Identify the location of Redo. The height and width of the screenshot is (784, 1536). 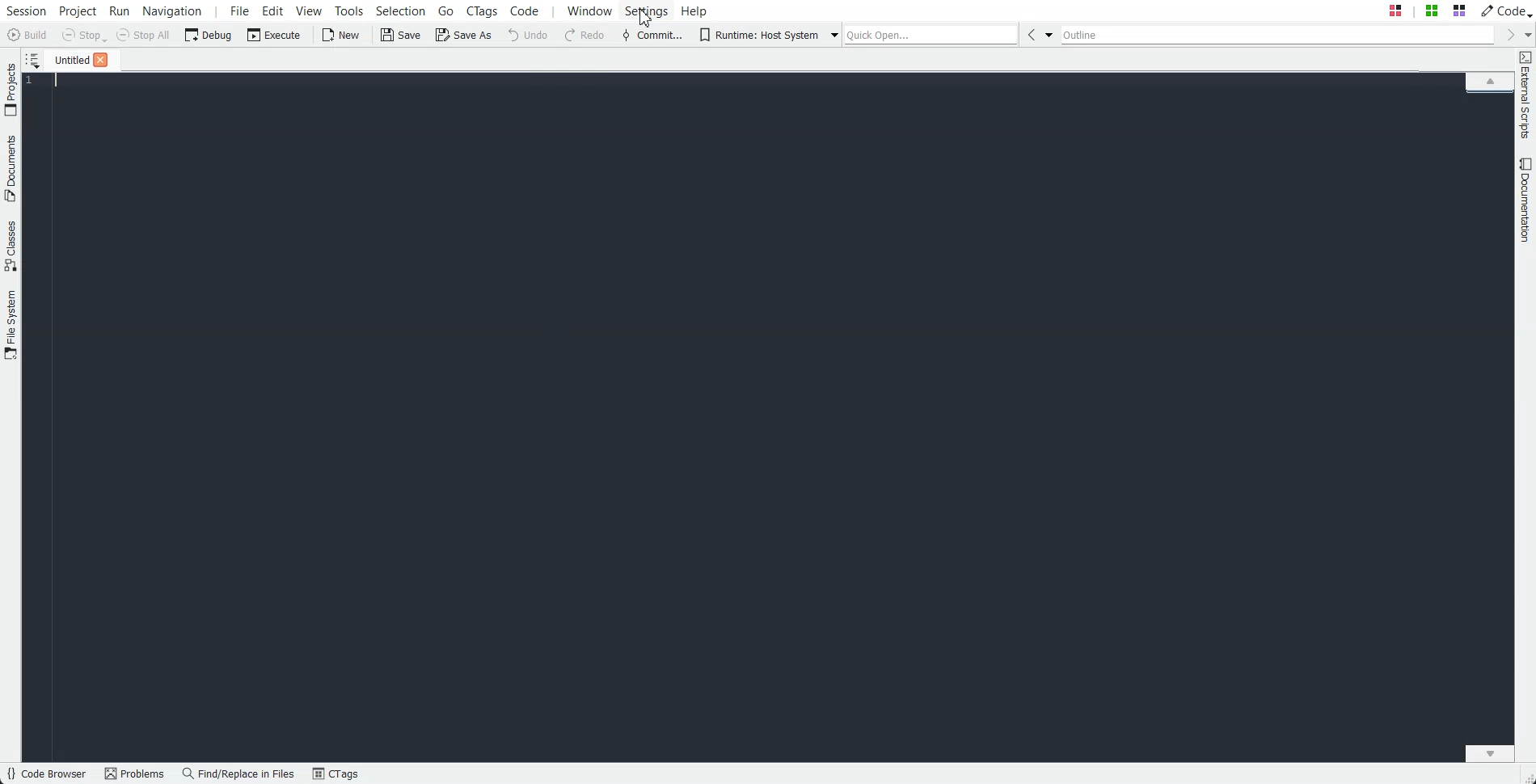
(585, 36).